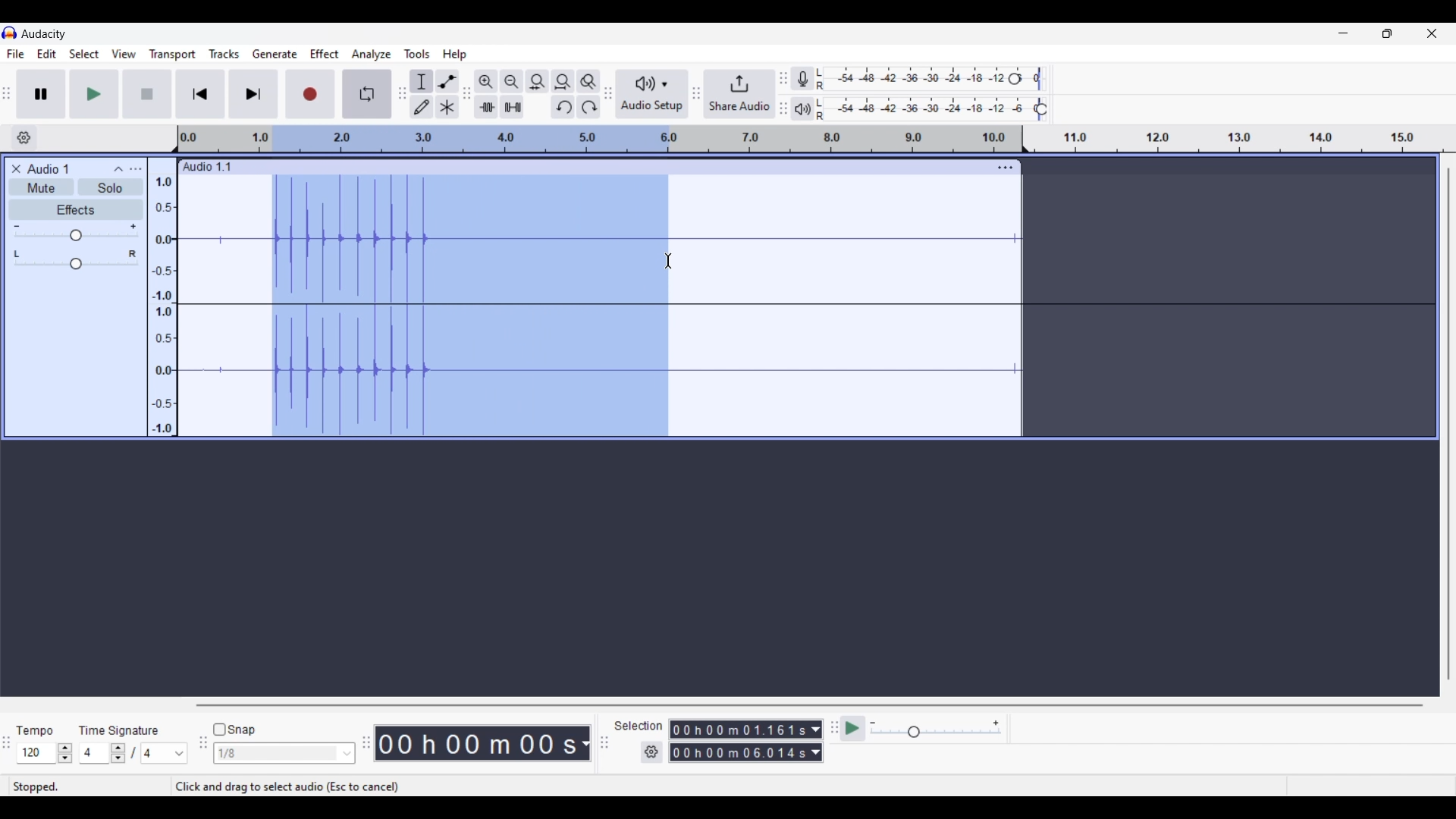 The image size is (1456, 819). Describe the element at coordinates (49, 168) in the screenshot. I see `Name of audio track` at that location.